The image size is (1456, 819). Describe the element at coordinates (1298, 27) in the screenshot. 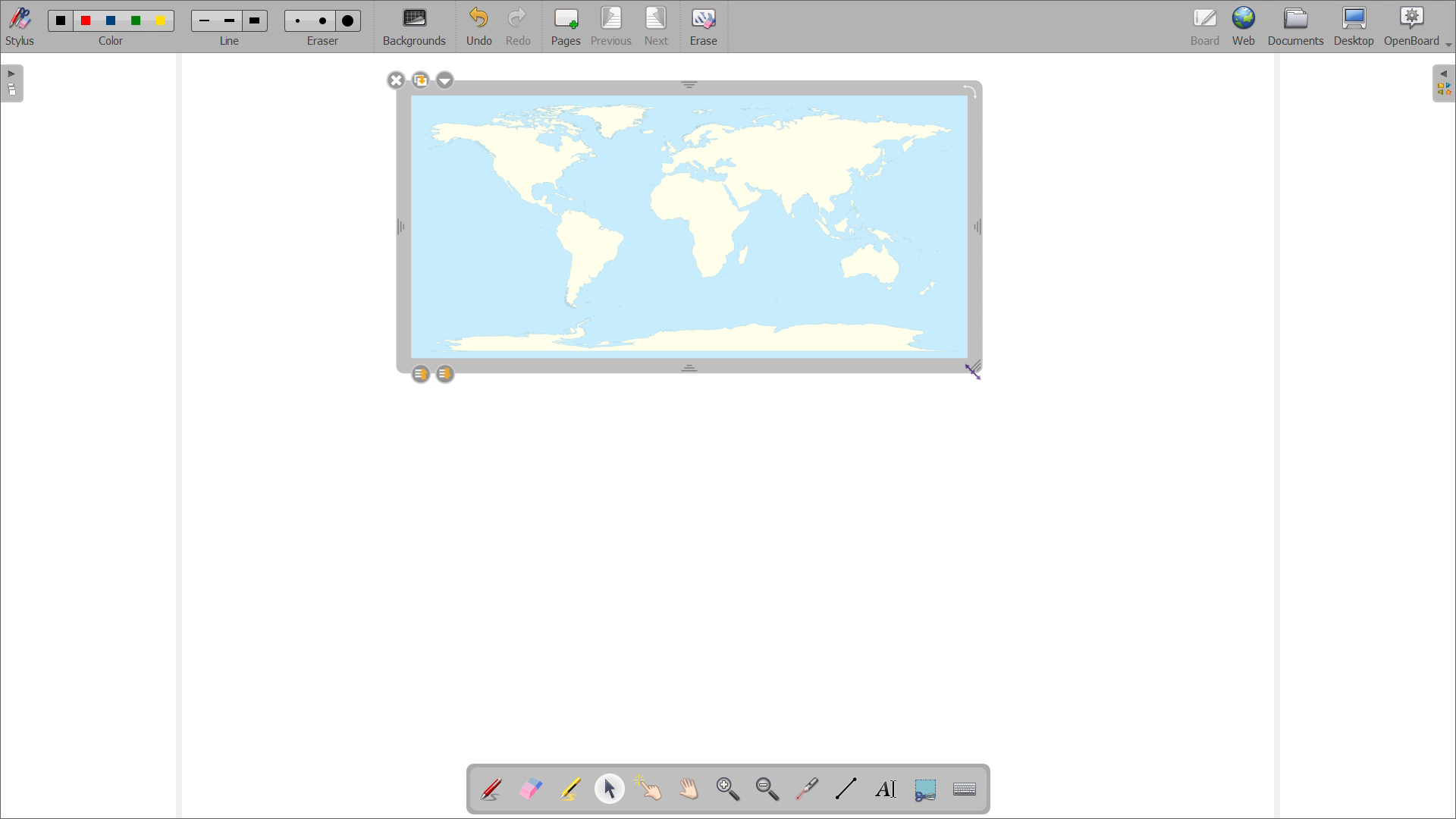

I see `documents` at that location.